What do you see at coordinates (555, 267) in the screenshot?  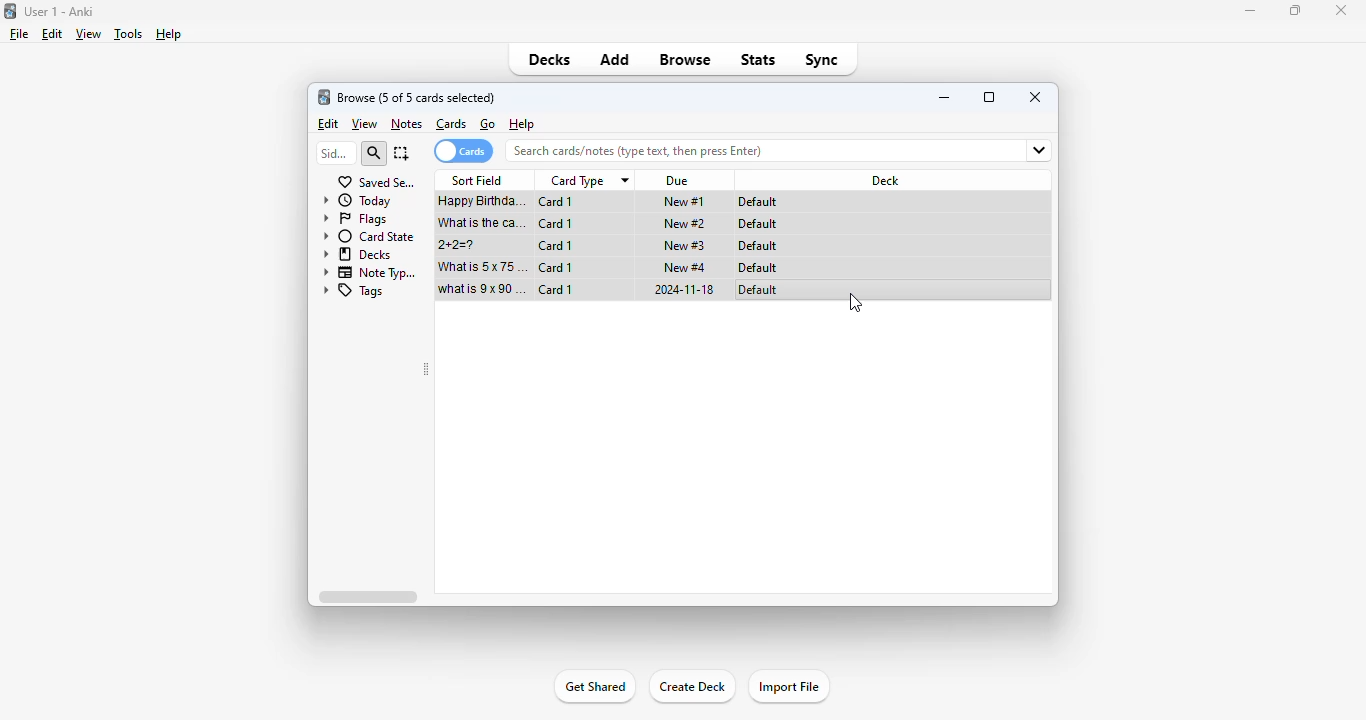 I see `card 1` at bounding box center [555, 267].